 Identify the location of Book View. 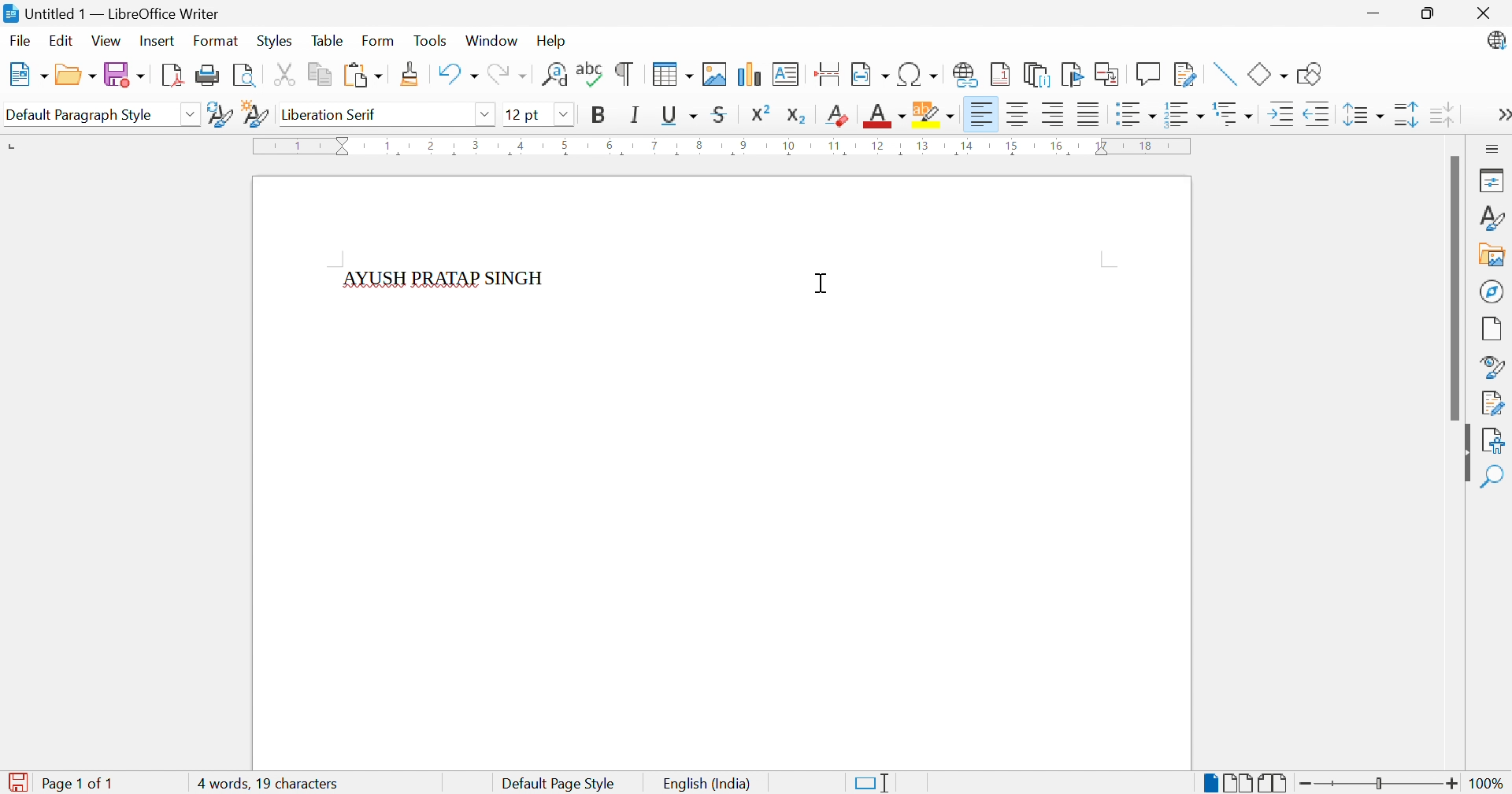
(1277, 781).